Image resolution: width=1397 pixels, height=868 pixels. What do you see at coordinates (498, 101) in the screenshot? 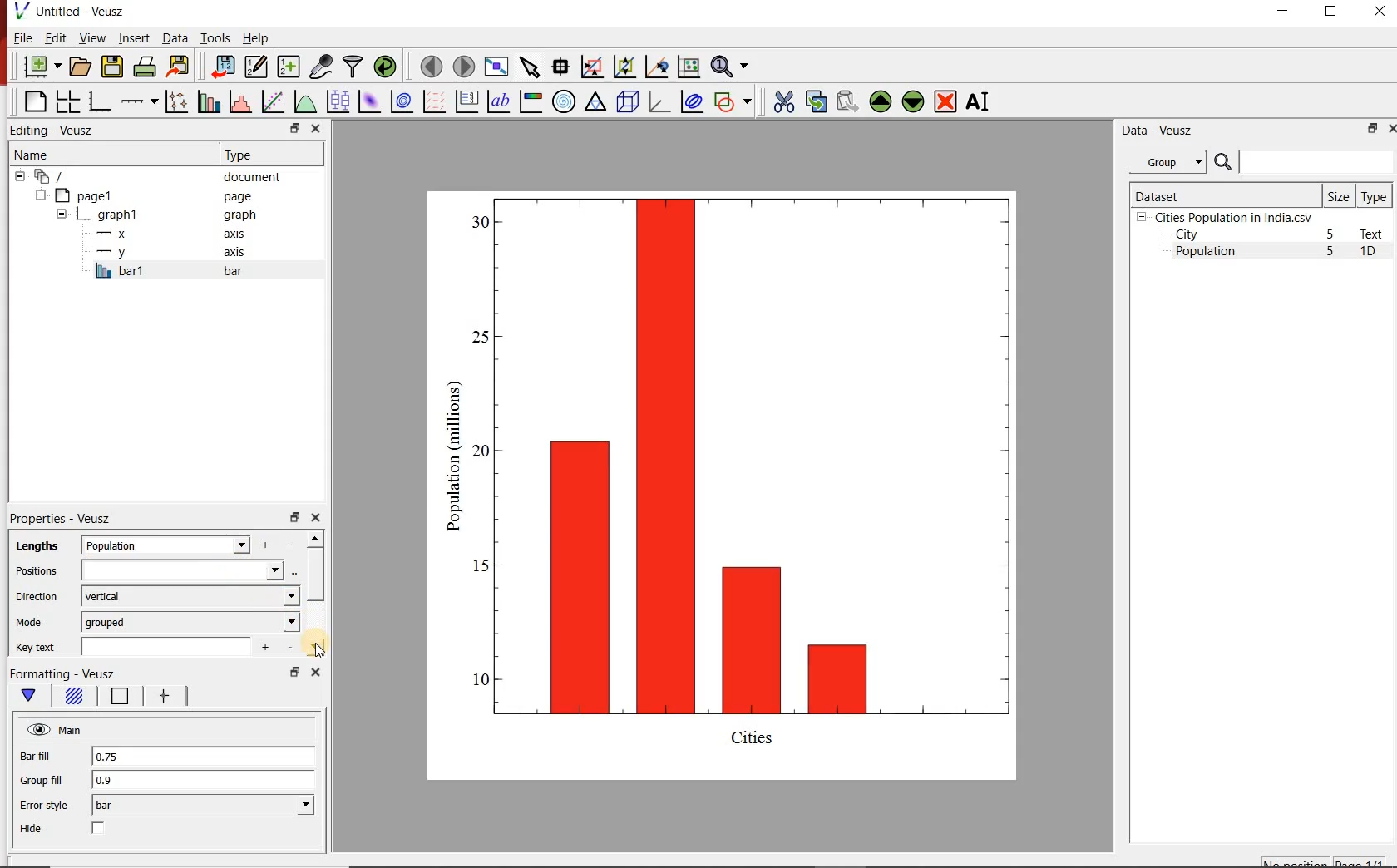
I see `text label` at bounding box center [498, 101].